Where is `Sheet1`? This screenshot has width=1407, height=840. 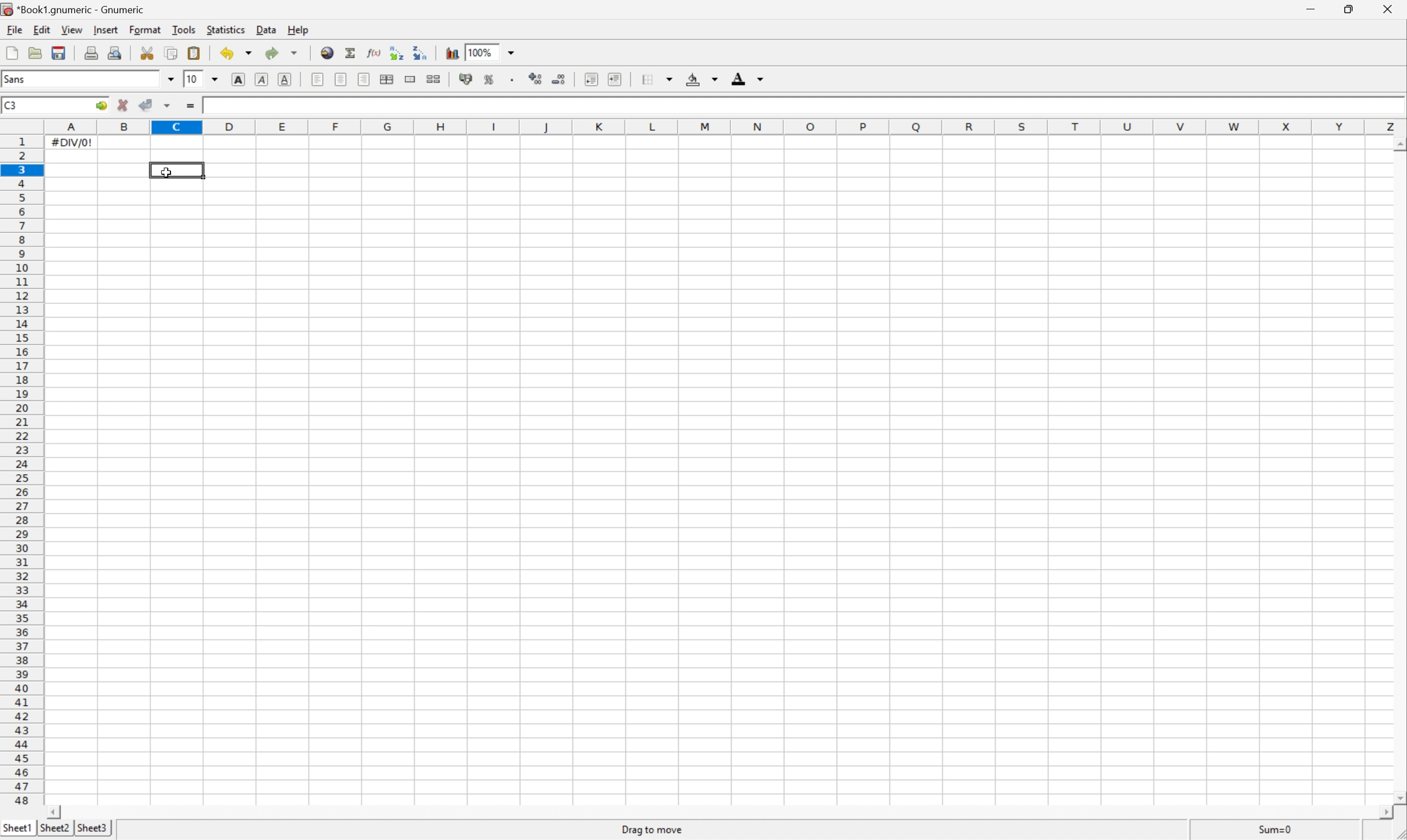 Sheet1 is located at coordinates (18, 826).